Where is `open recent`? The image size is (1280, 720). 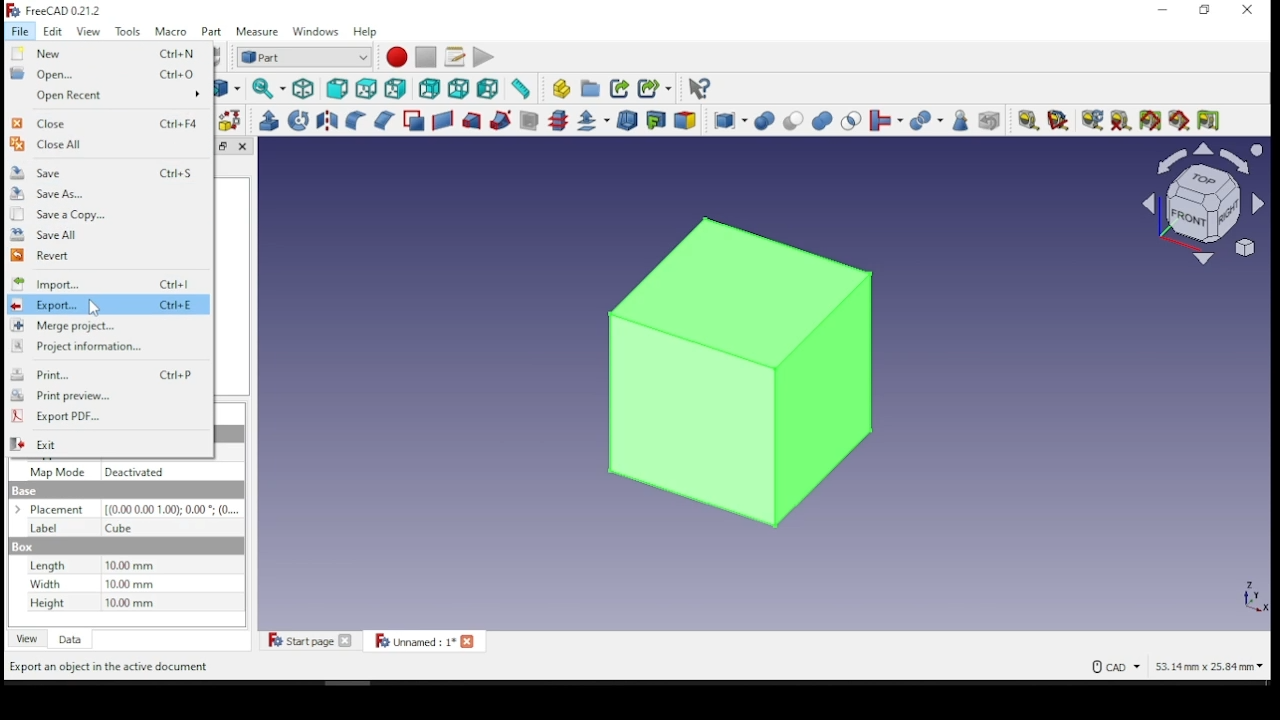
open recent is located at coordinates (118, 95).